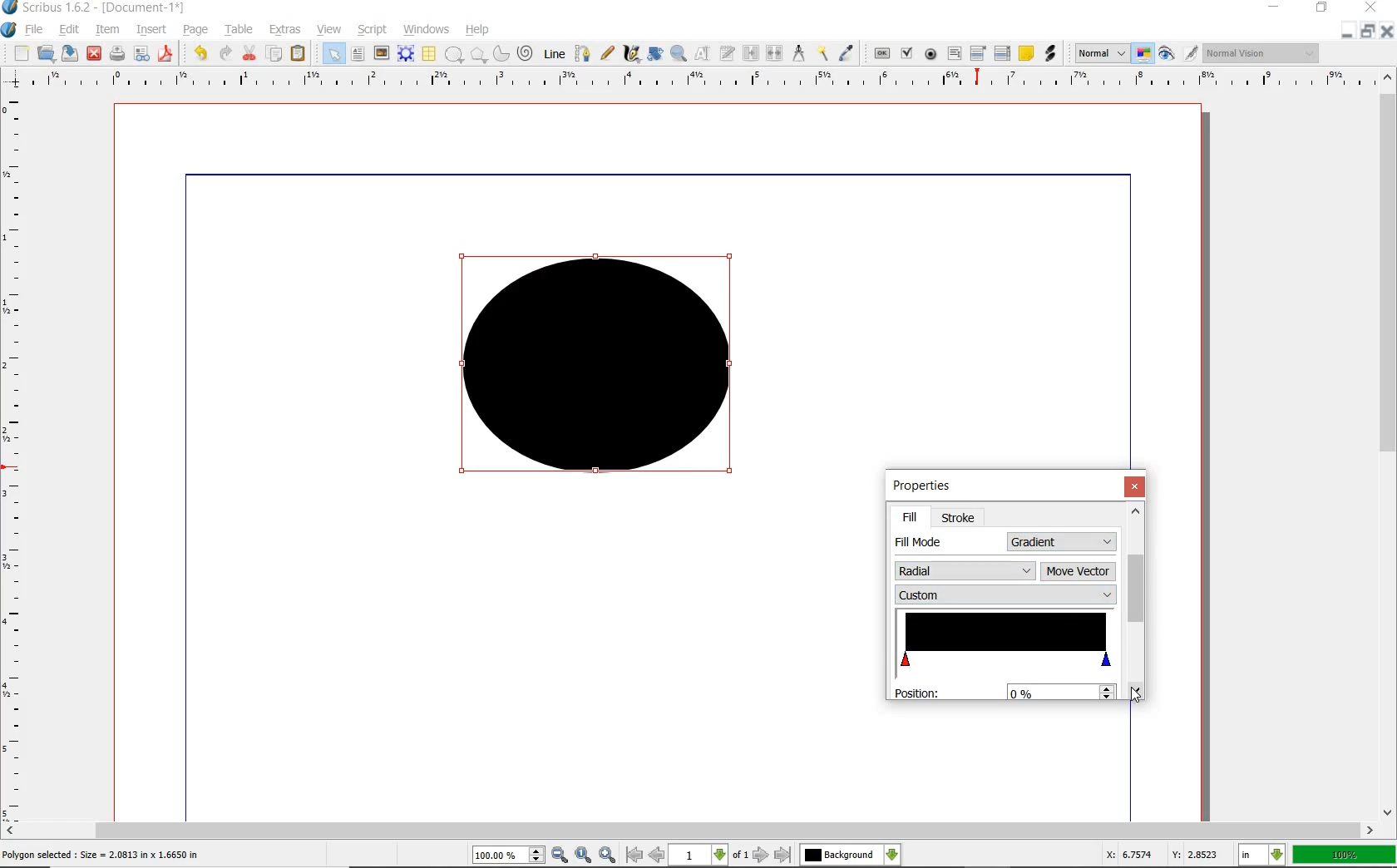 The height and width of the screenshot is (868, 1397). I want to click on SELECT, so click(333, 55).